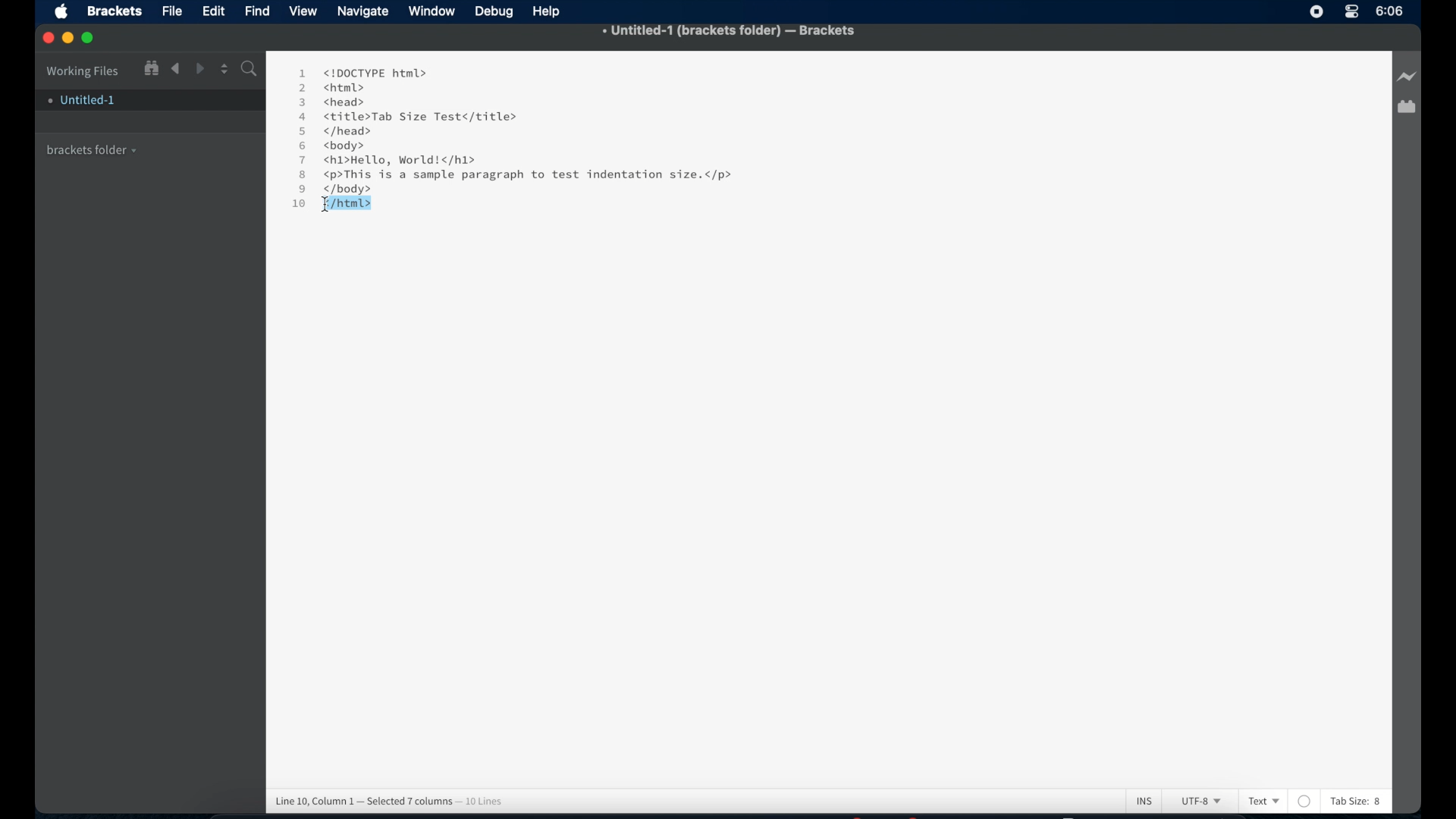  What do you see at coordinates (390, 160) in the screenshot?
I see `7 <h1>Hello, World!</h1>` at bounding box center [390, 160].